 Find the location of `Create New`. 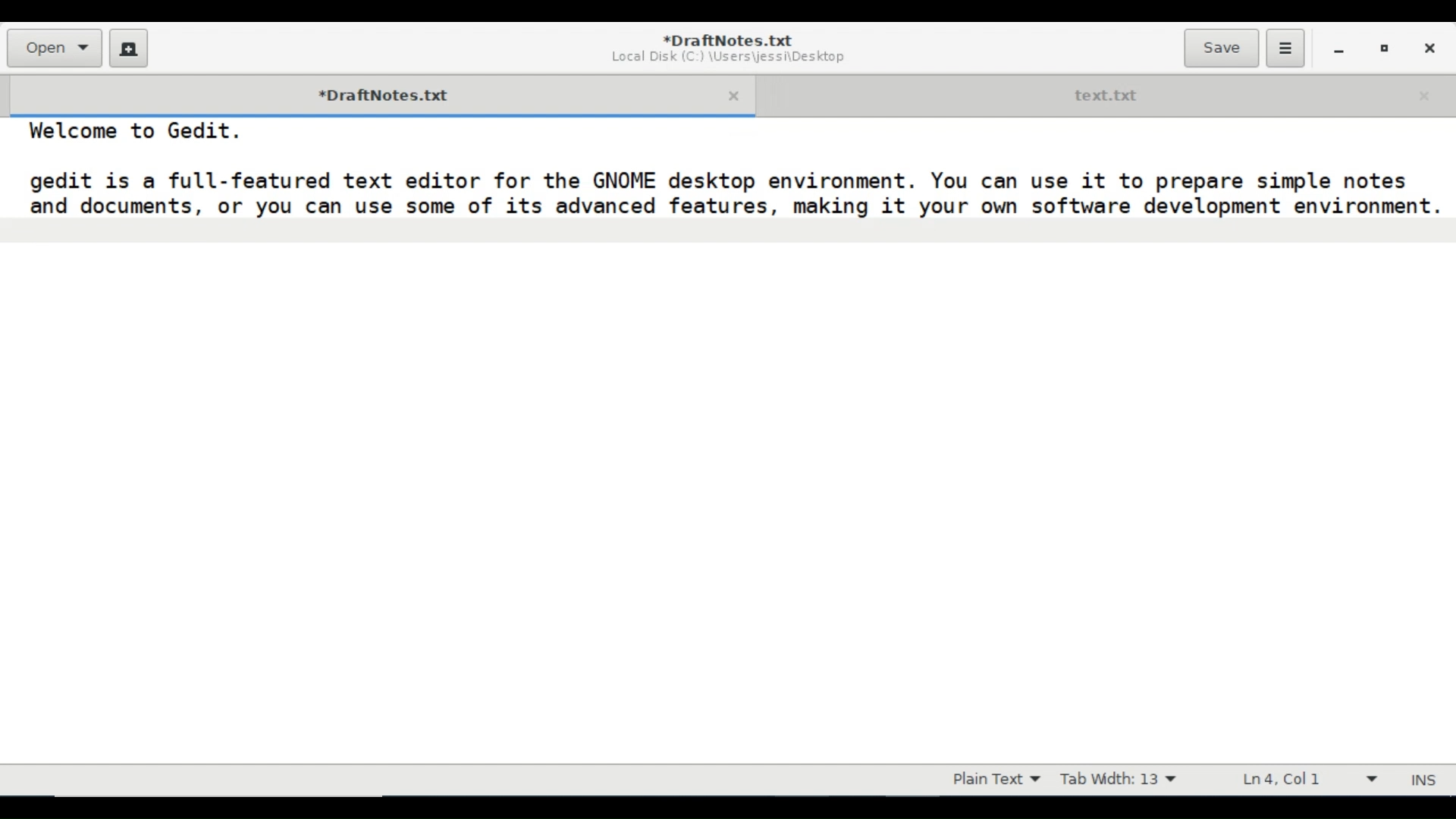

Create New is located at coordinates (129, 48).